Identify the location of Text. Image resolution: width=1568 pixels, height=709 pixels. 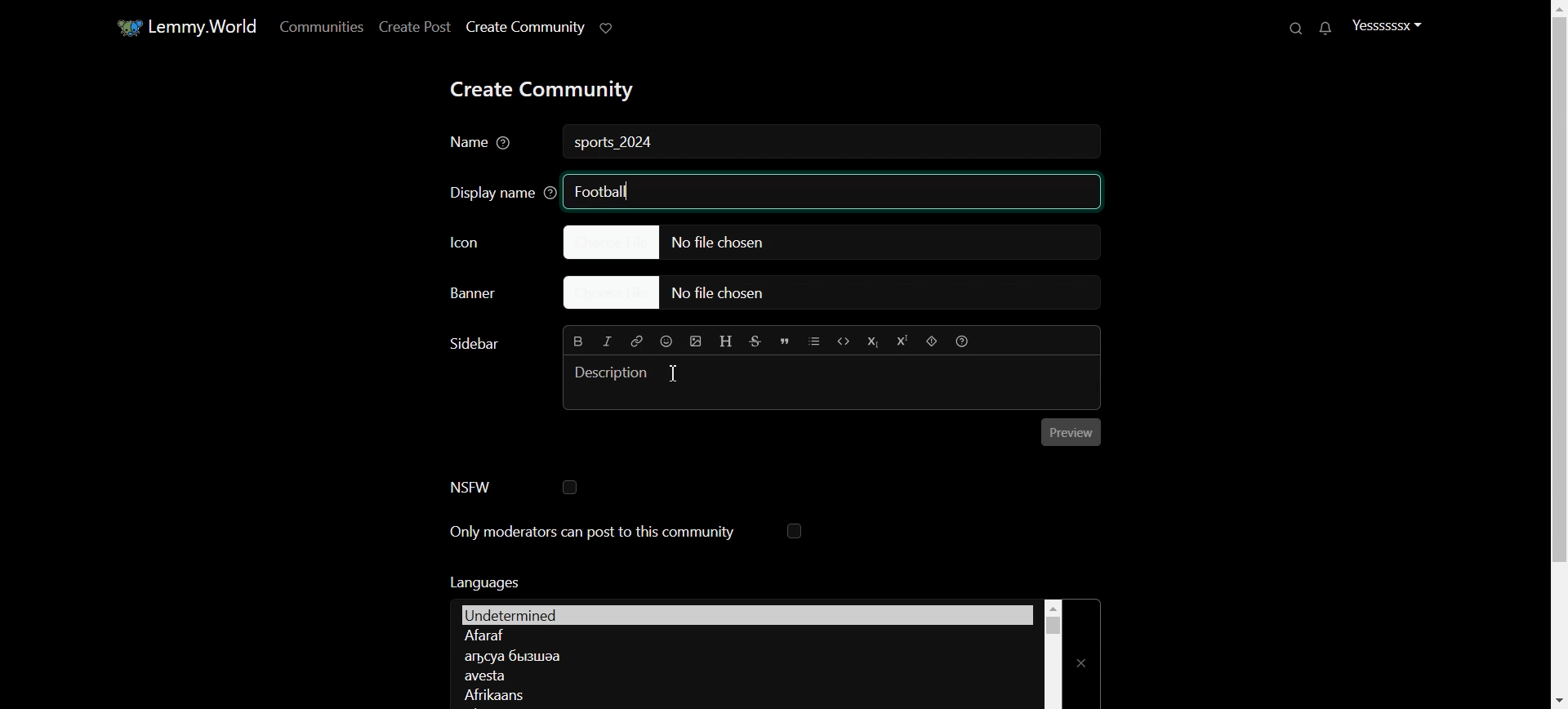
(616, 144).